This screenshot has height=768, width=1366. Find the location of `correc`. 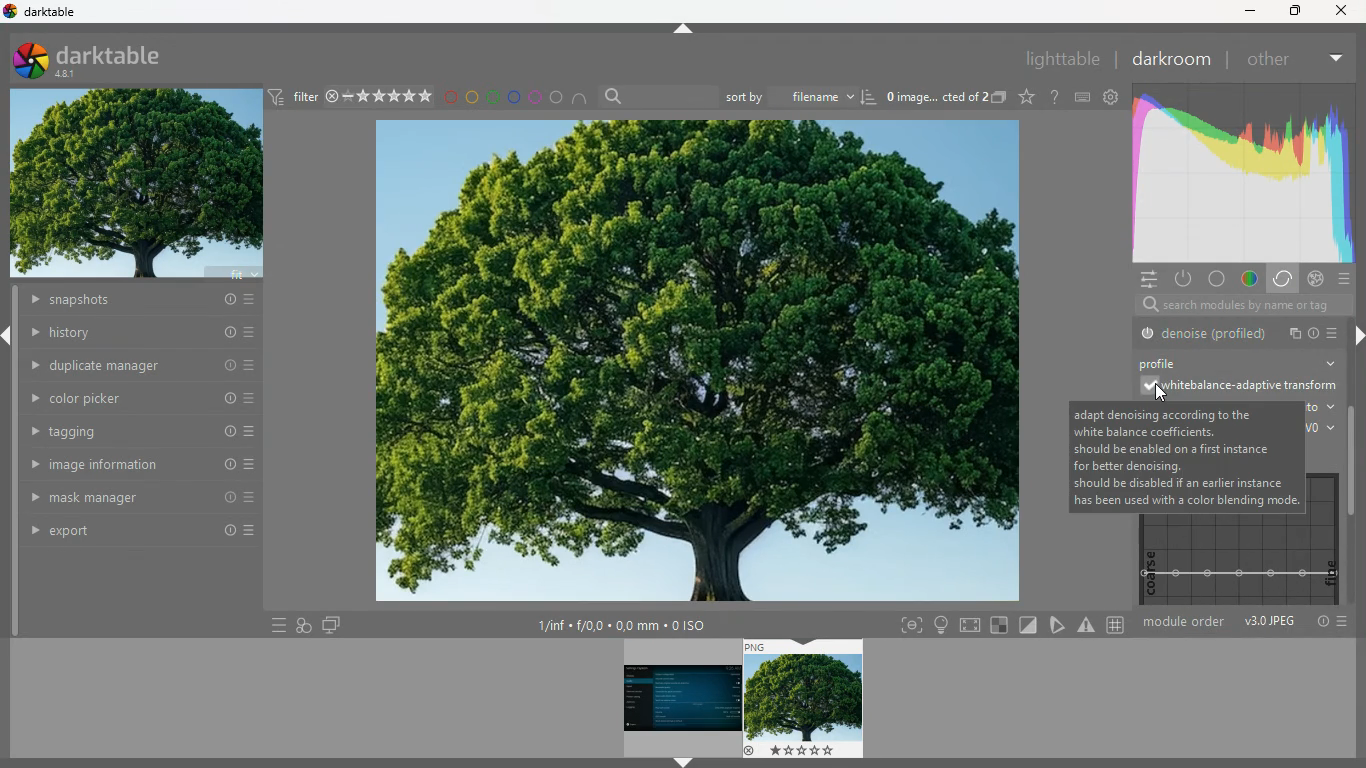

correc is located at coordinates (1285, 279).